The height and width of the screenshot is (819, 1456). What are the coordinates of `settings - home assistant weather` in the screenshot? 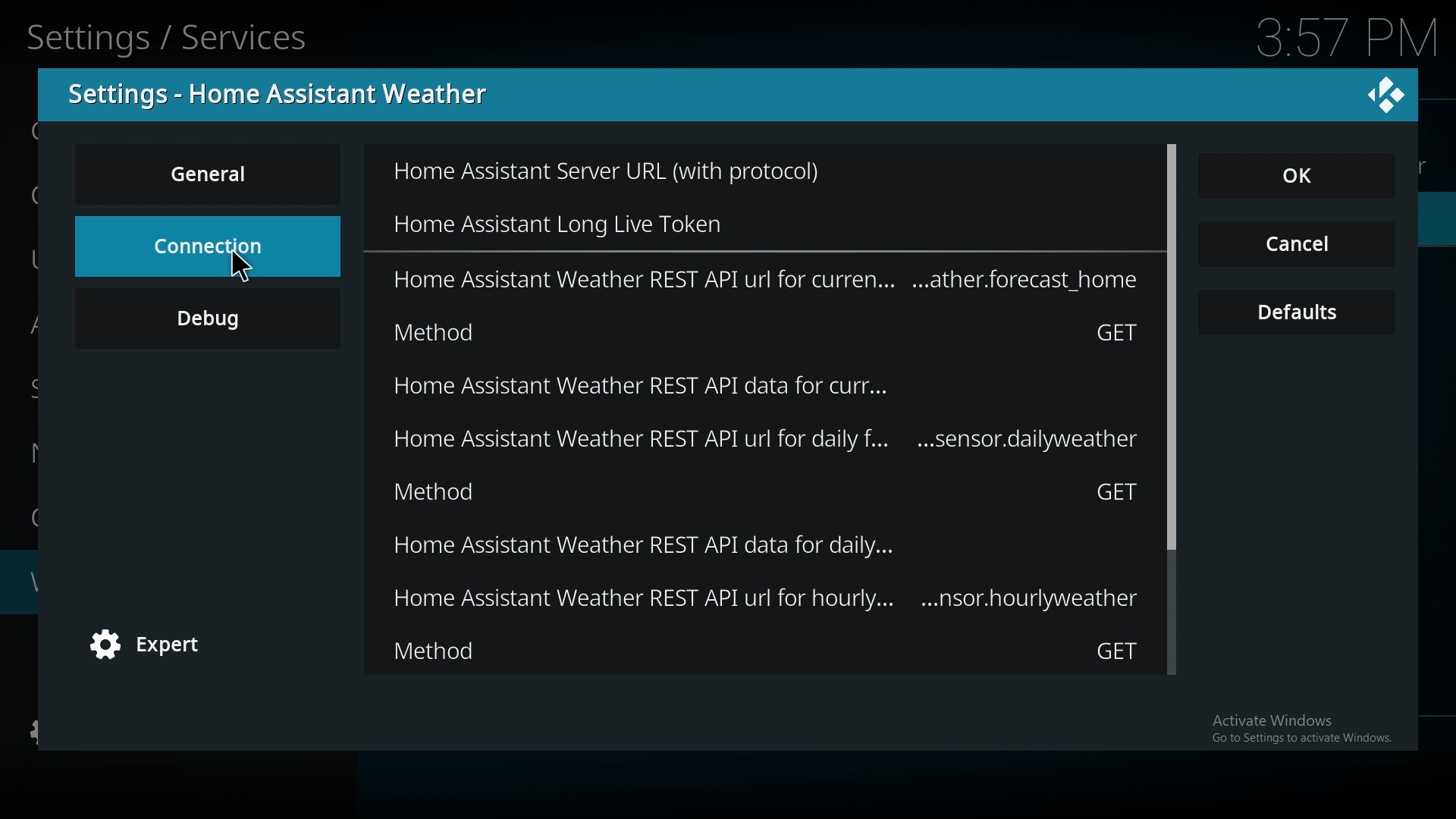 It's located at (287, 94).